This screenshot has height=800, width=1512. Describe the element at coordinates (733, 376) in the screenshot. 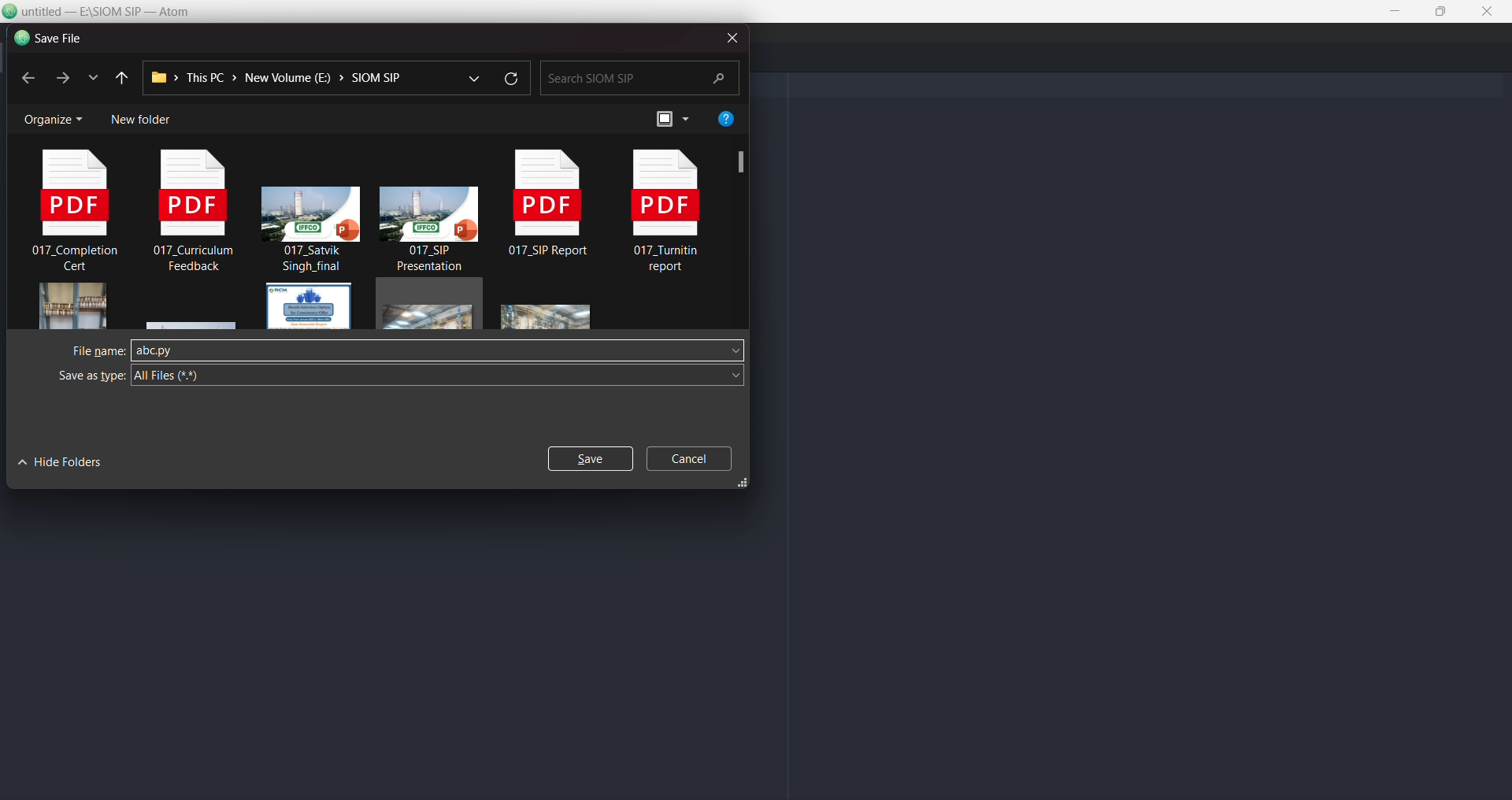

I see `save as type` at that location.